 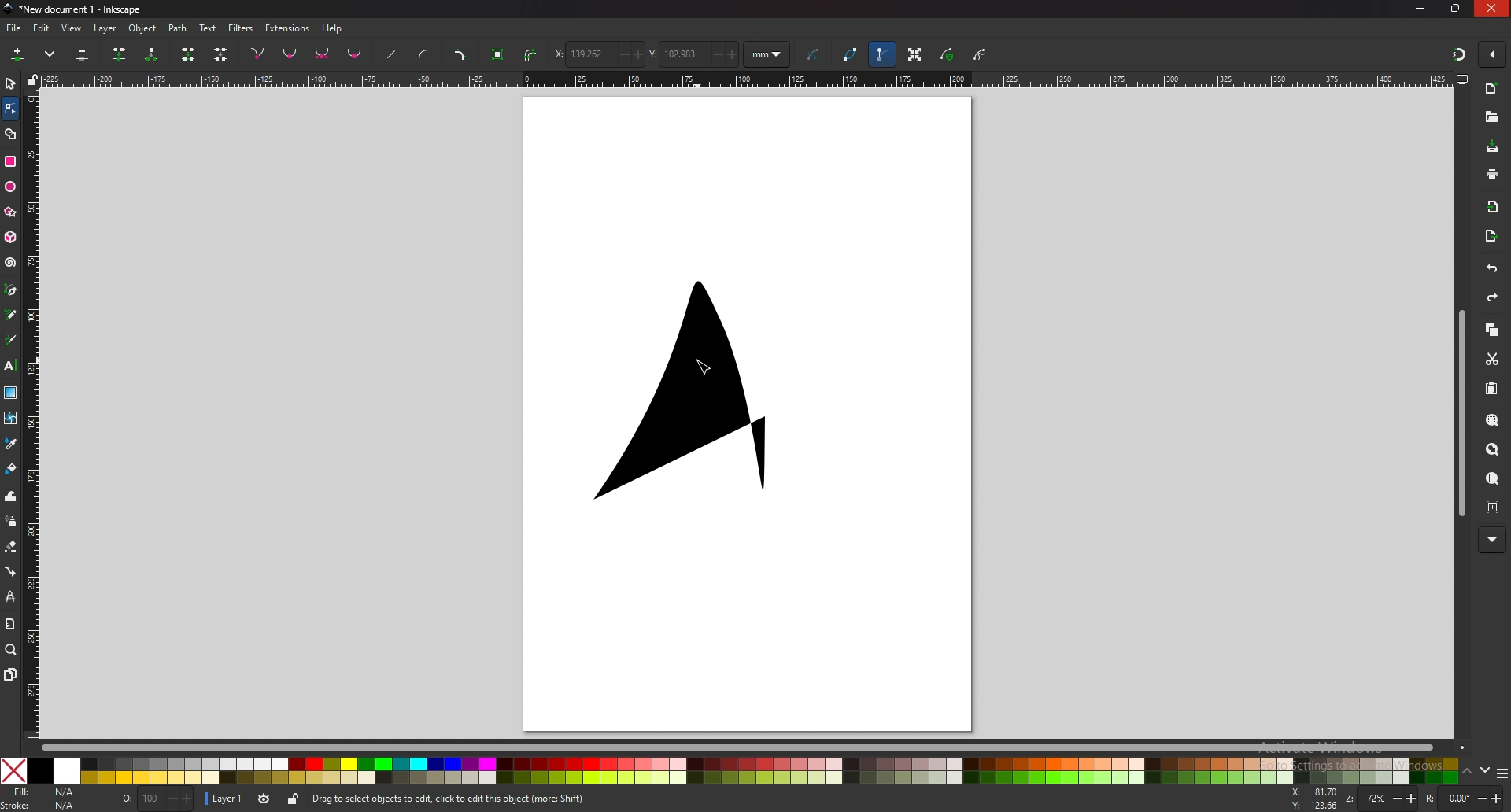 What do you see at coordinates (744, 79) in the screenshot?
I see `horizontal scale` at bounding box center [744, 79].